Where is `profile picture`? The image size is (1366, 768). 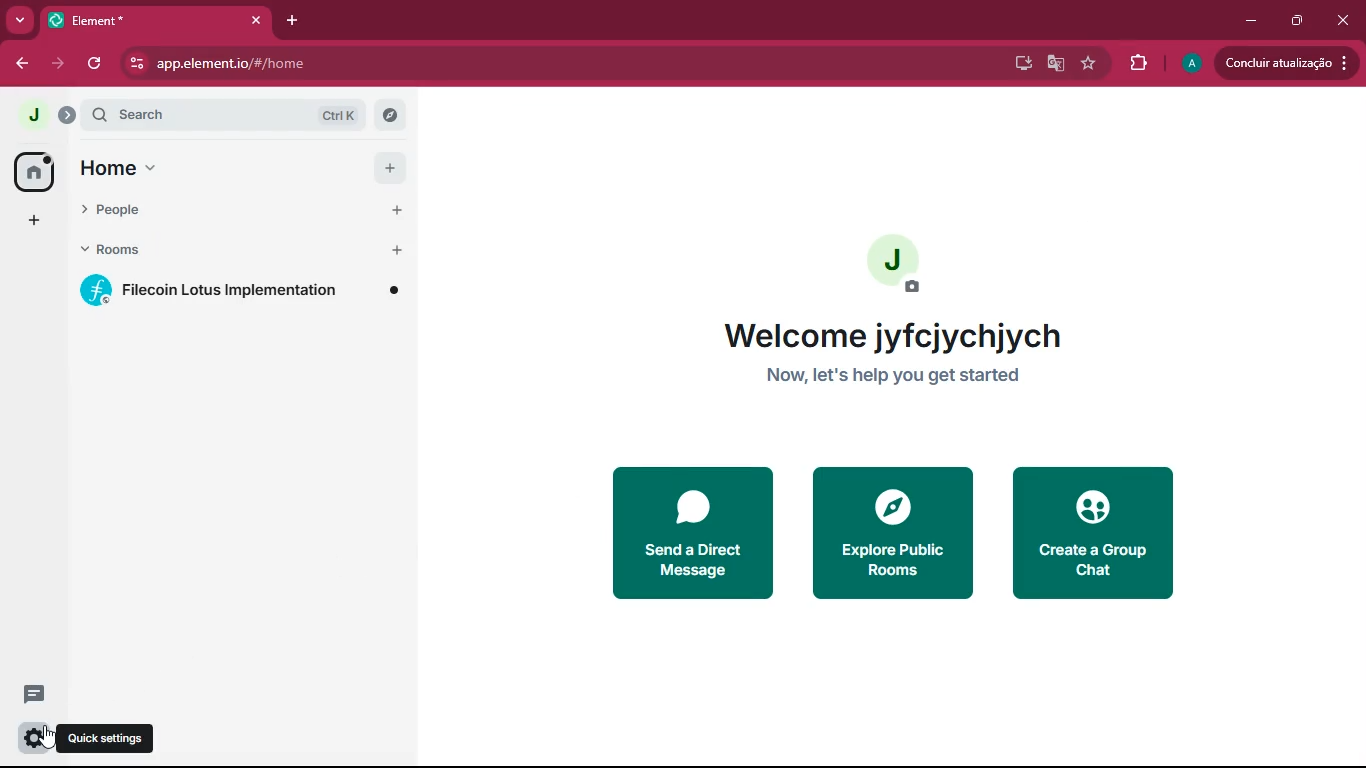
profile picture is located at coordinates (1190, 64).